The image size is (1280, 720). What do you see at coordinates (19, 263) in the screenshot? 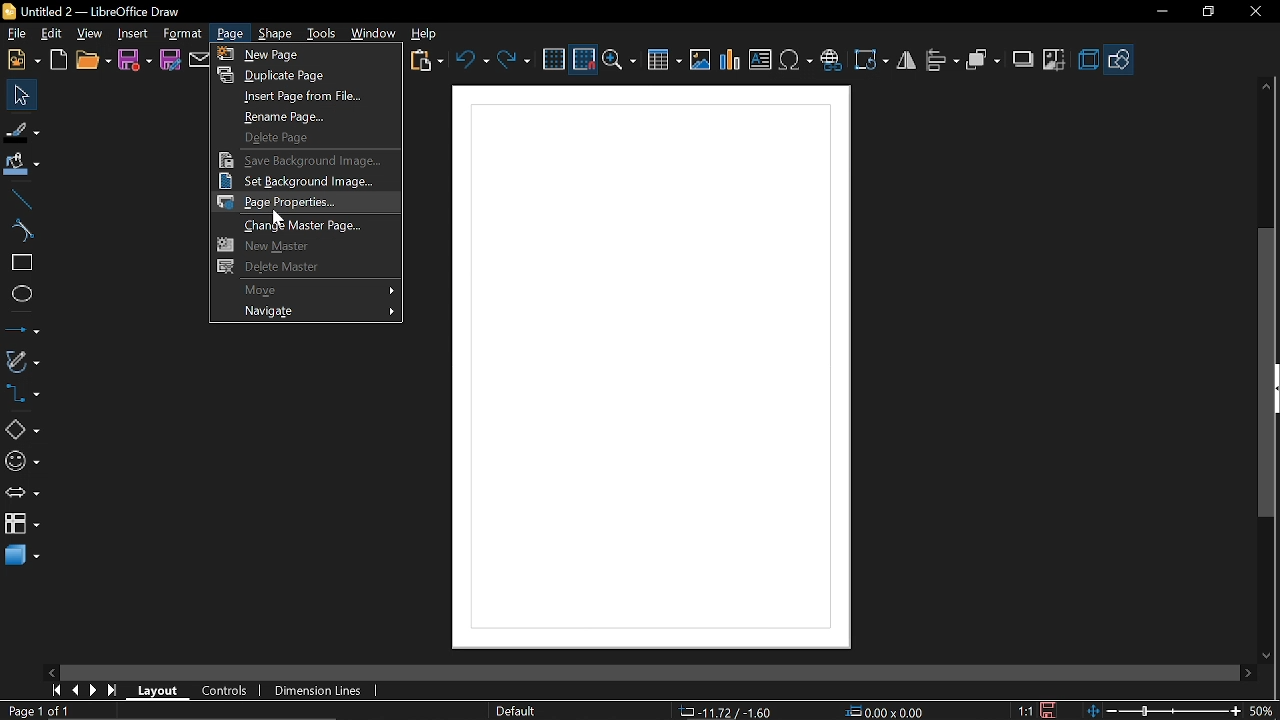
I see `RectANGLE` at bounding box center [19, 263].